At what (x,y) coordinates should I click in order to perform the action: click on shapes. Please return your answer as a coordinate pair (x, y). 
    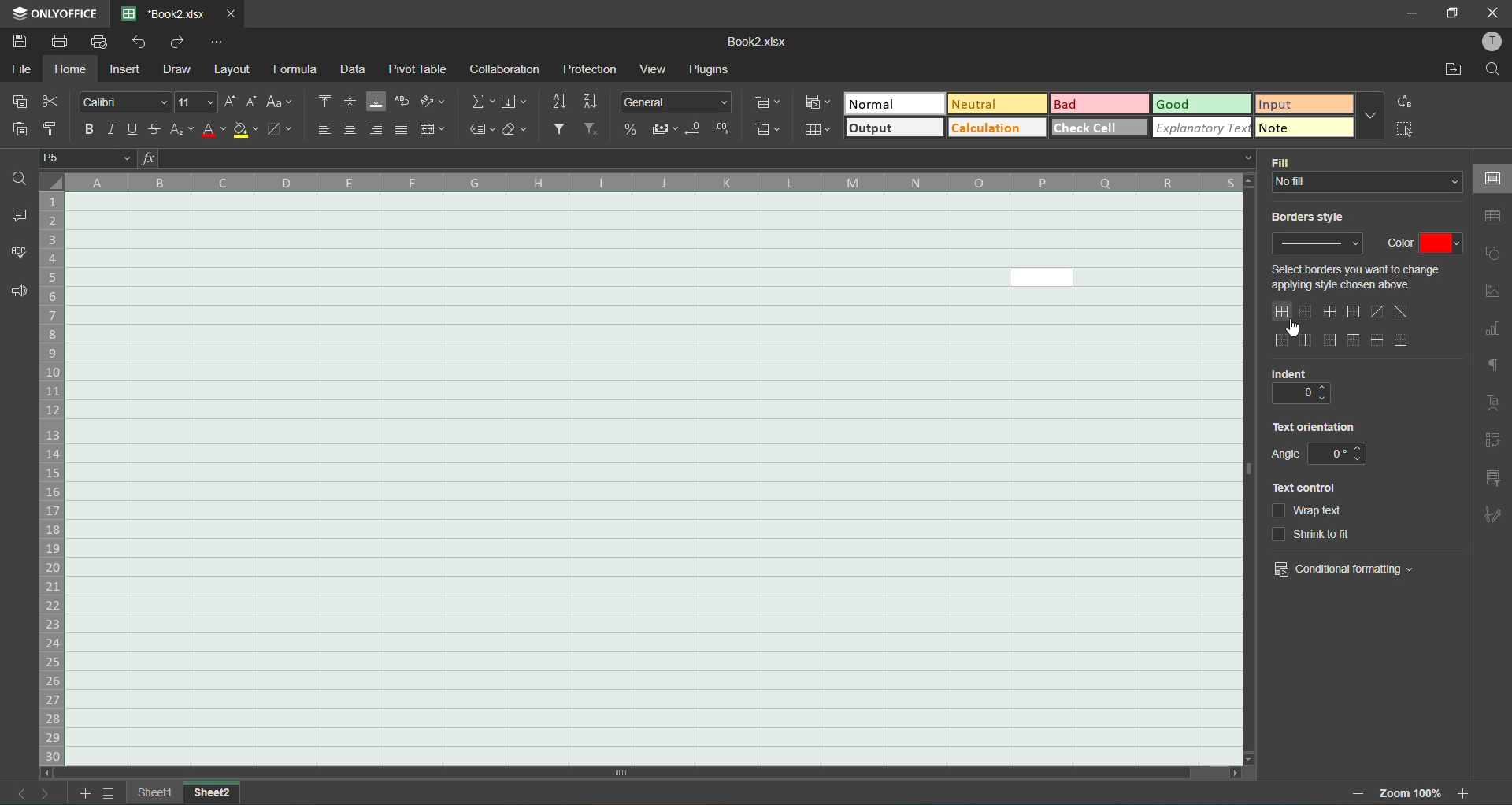
    Looking at the image, I should click on (1493, 253).